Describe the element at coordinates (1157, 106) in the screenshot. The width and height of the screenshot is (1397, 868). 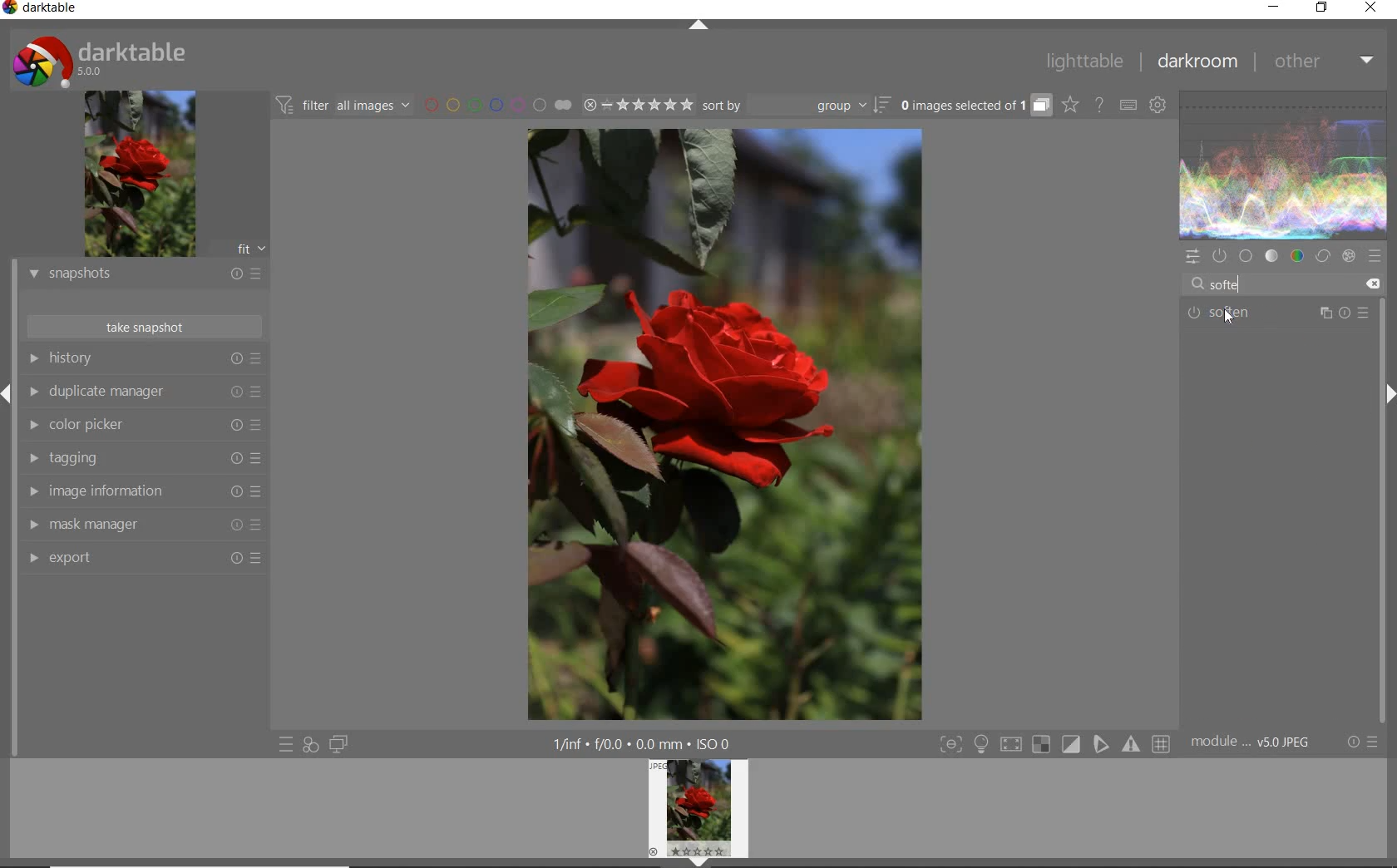
I see `show global preferences` at that location.